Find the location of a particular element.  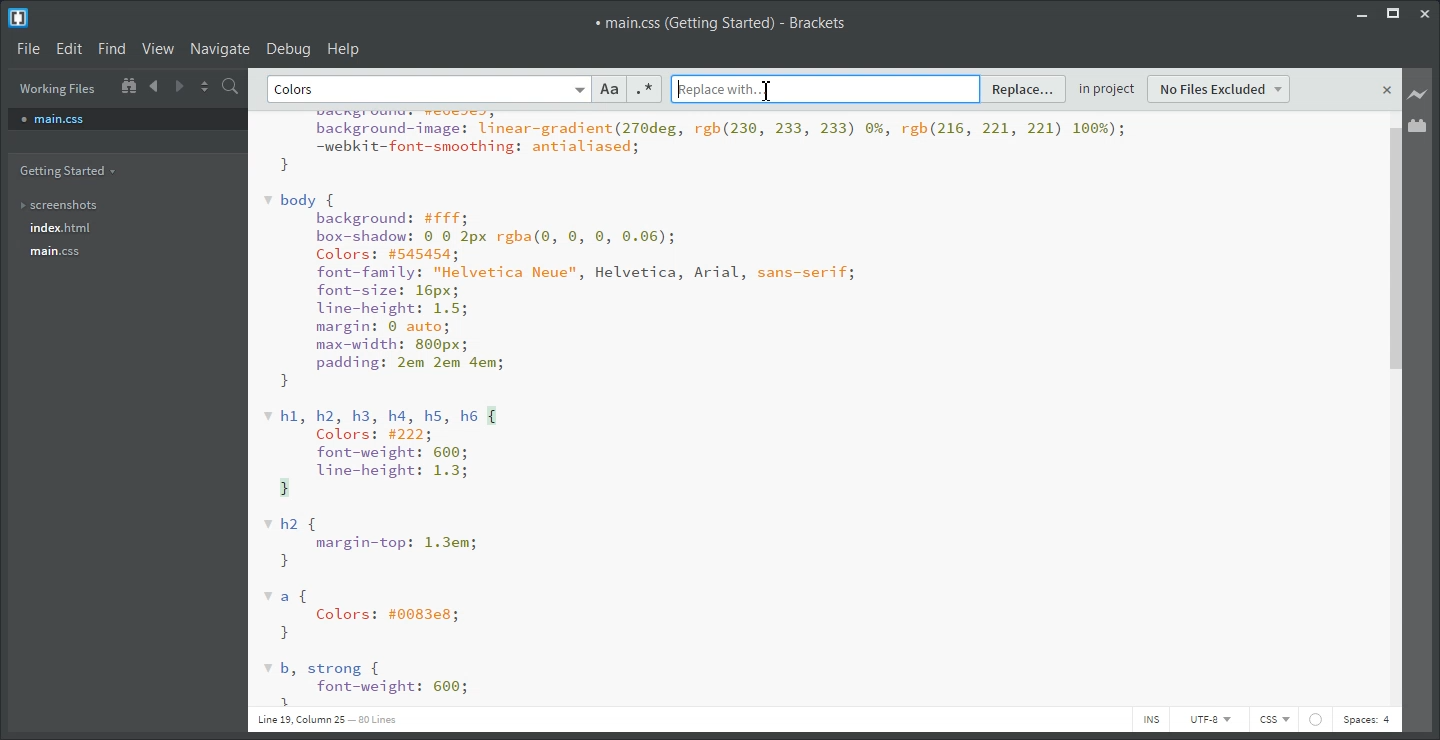

rite dbatet-his | ST pen aguabackground-image: linear-gradient(270deg, rgb(230, 233, 233) 0%, rgb(216, 221, 221) 100%);—webkit-font-smoothing: antialiased;} is located at coordinates (694, 143).